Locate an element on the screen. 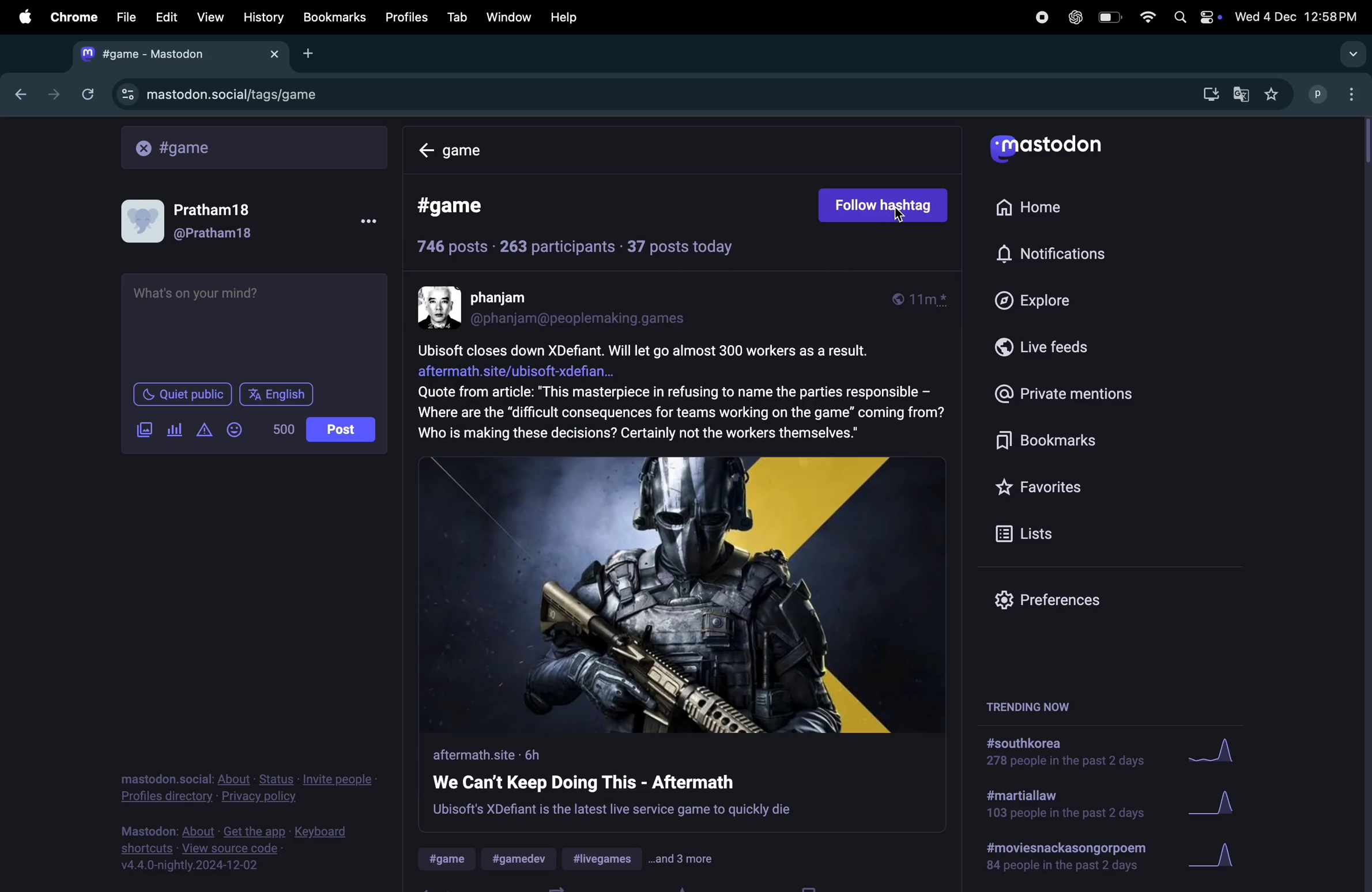  Follow hashtag is located at coordinates (884, 206).